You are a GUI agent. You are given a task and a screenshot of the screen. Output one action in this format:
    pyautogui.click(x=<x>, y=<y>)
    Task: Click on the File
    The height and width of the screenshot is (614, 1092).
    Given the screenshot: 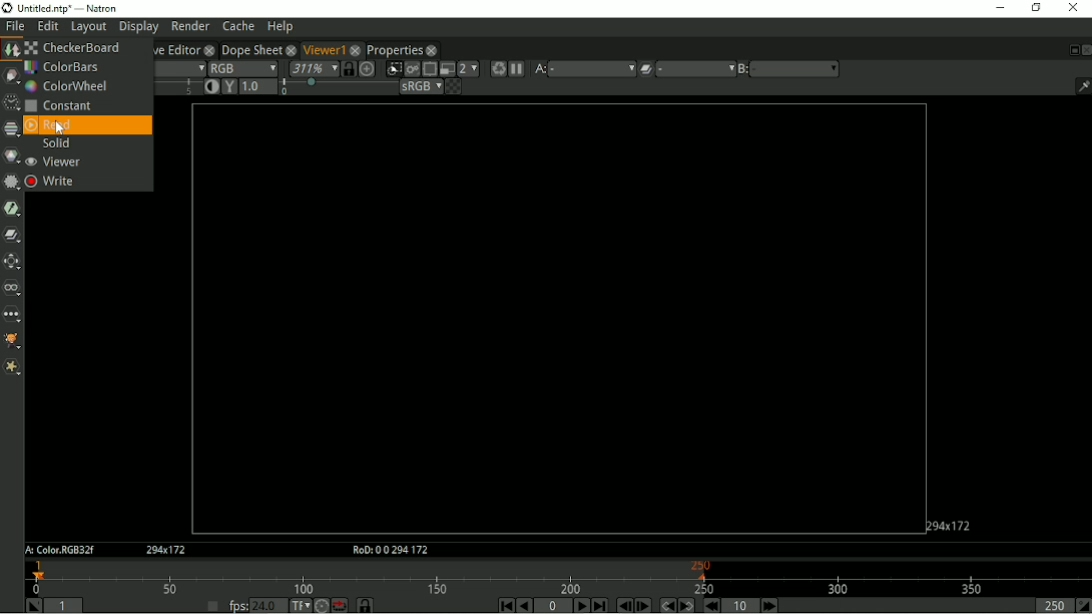 What is the action you would take?
    pyautogui.click(x=15, y=25)
    